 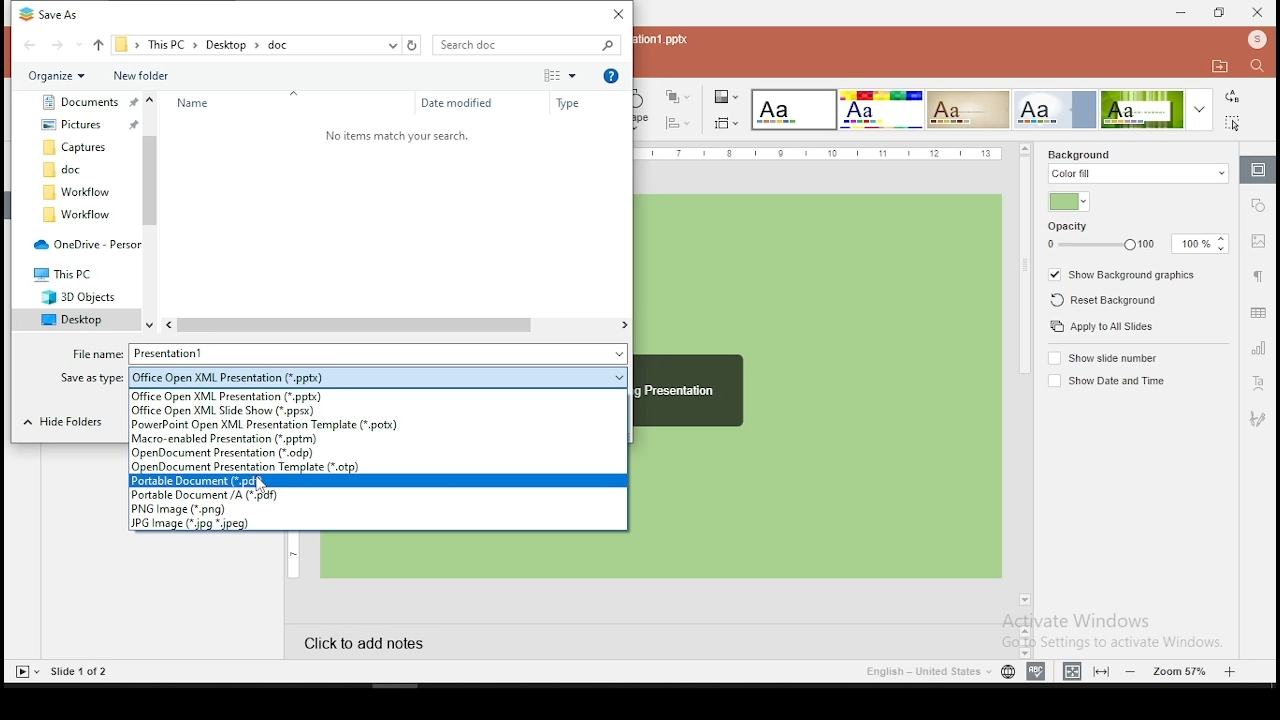 I want to click on find, so click(x=1257, y=66).